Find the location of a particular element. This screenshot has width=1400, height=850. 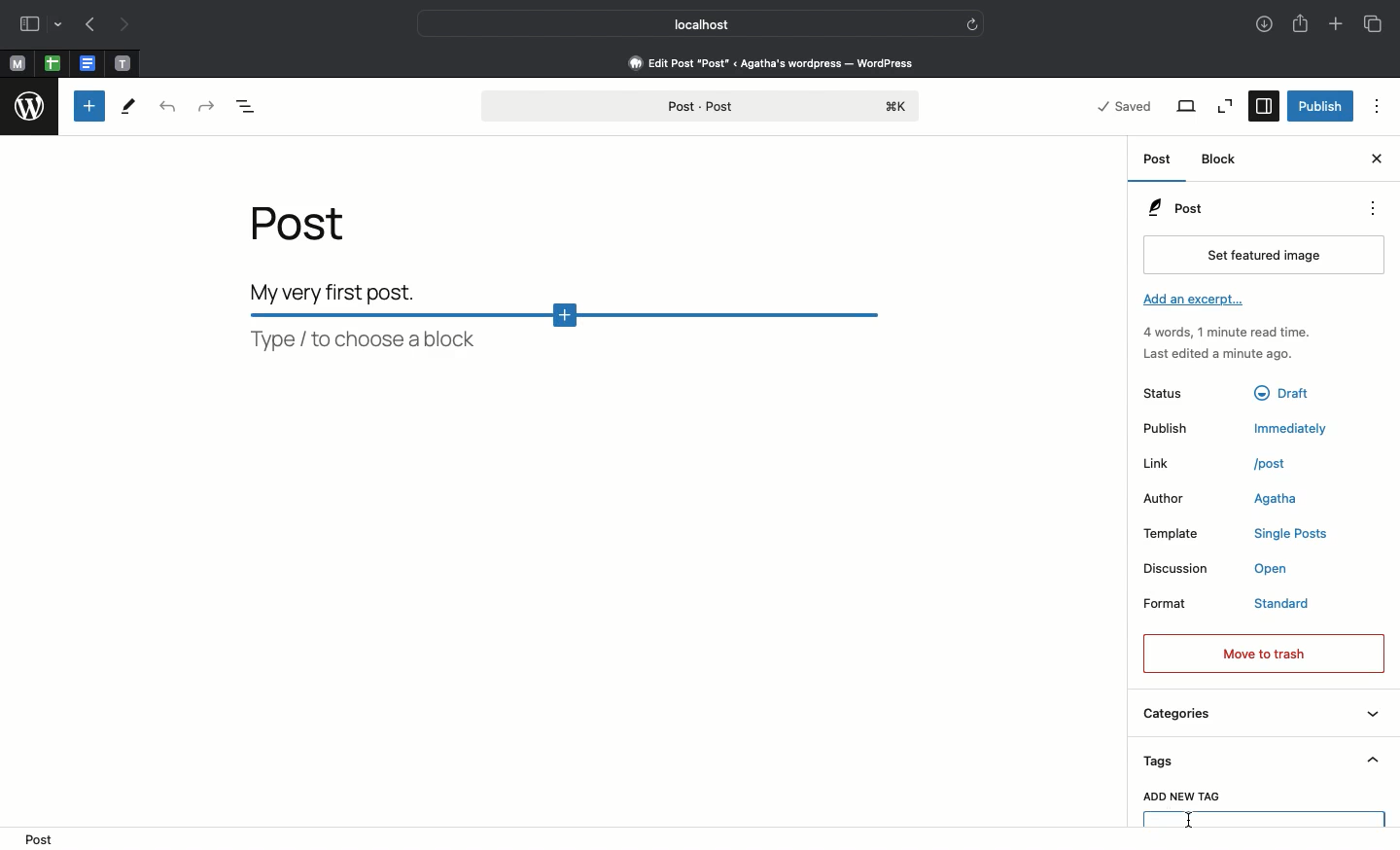

Link is located at coordinates (1162, 464).